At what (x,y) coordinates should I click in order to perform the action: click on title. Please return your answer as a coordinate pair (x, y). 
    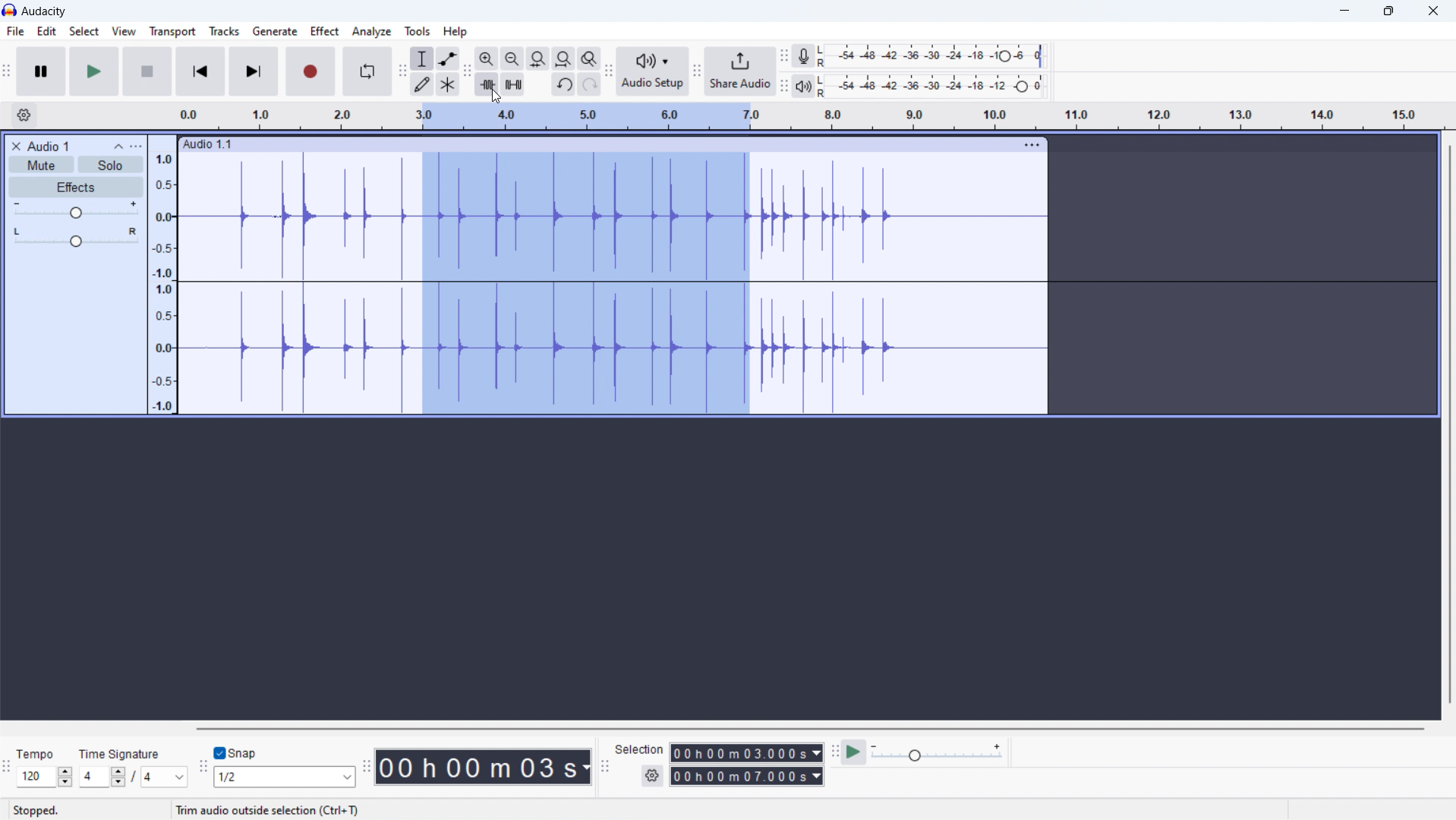
    Looking at the image, I should click on (43, 11).